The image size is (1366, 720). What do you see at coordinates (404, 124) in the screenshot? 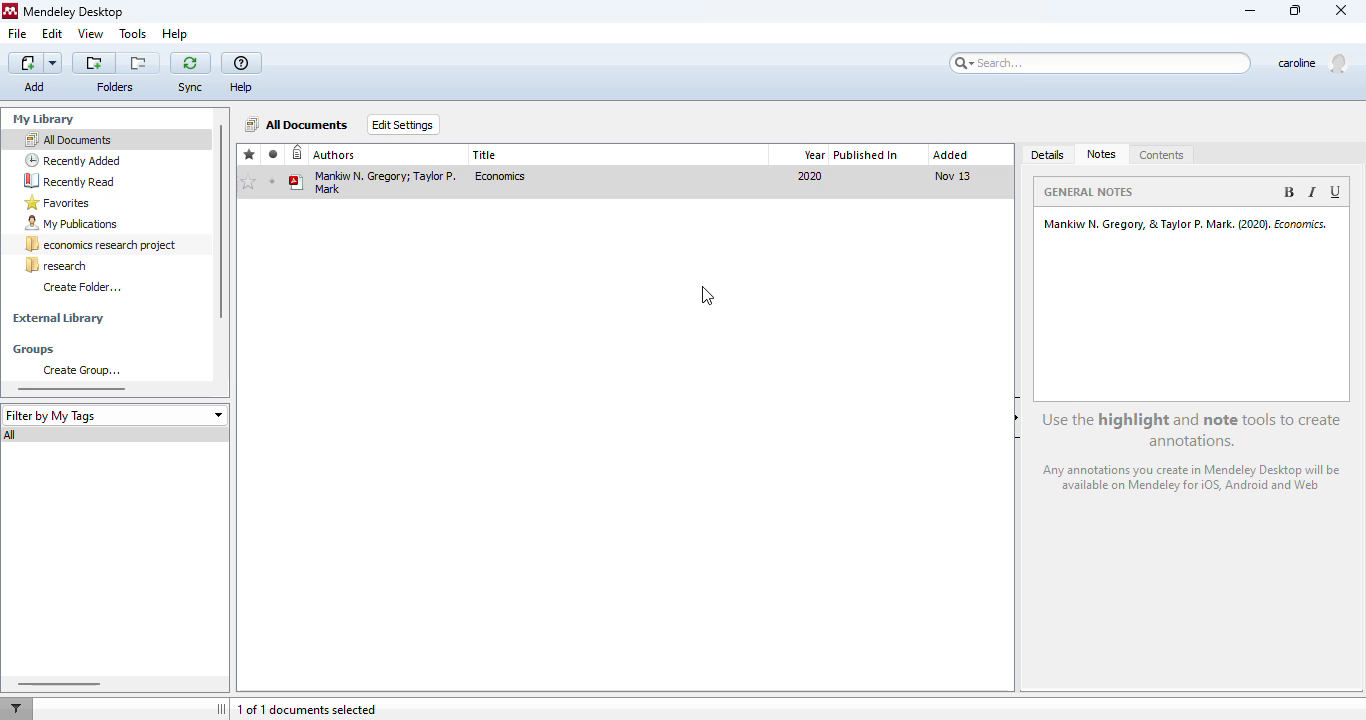
I see `edit settings` at bounding box center [404, 124].